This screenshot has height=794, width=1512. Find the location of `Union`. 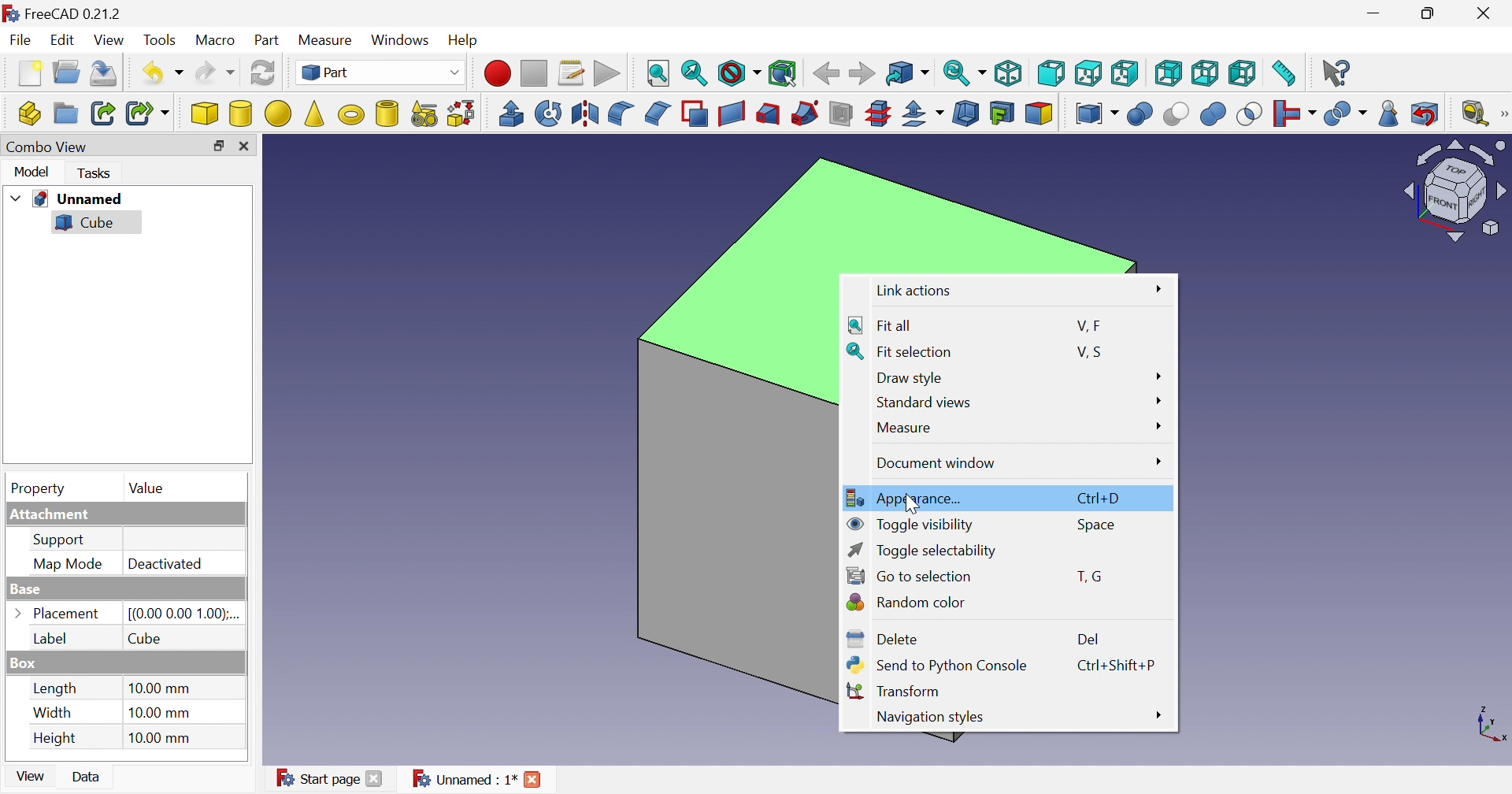

Union is located at coordinates (1215, 113).